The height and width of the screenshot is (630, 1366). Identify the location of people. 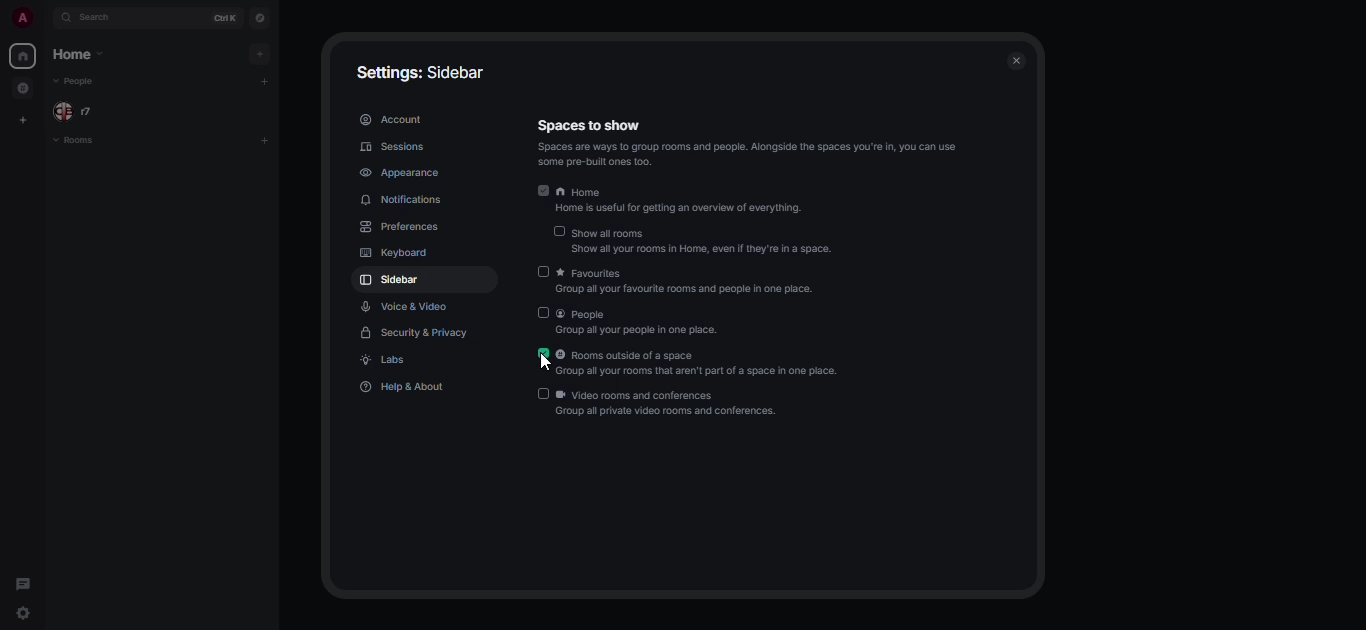
(82, 83).